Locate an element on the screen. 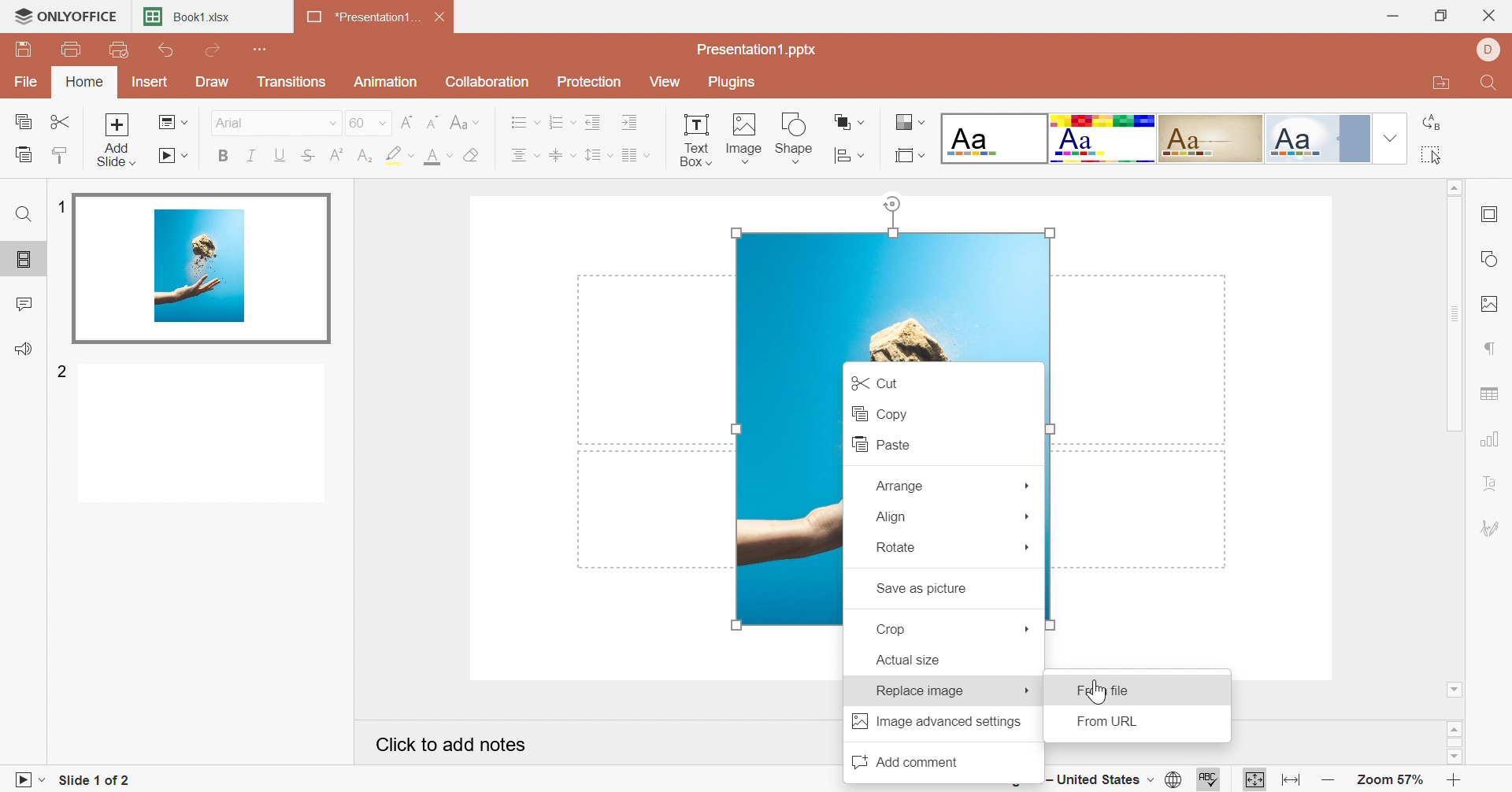 The height and width of the screenshot is (792, 1512). paragraph settings is located at coordinates (1491, 347).